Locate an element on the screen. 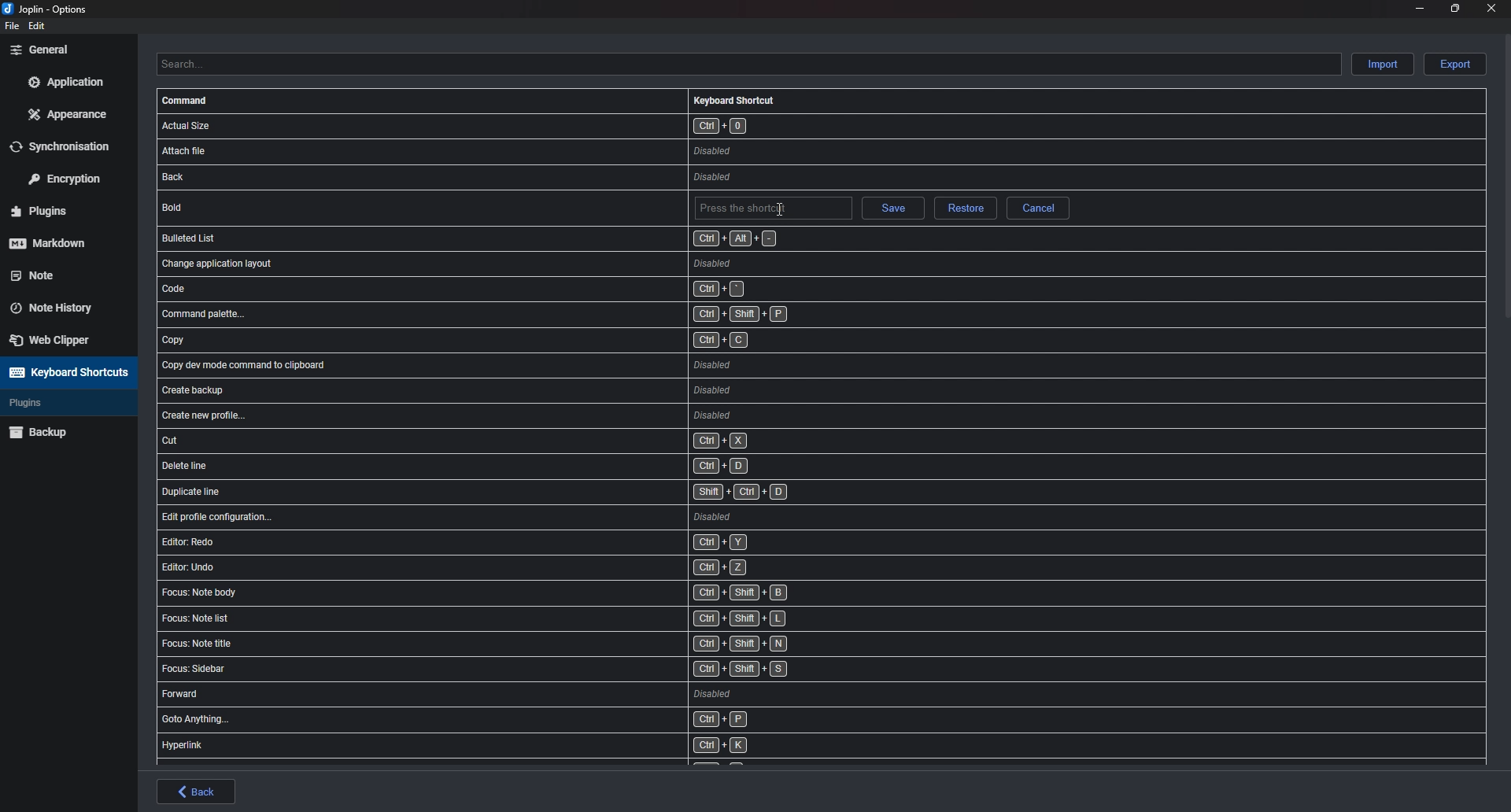  Plugins is located at coordinates (57, 403).